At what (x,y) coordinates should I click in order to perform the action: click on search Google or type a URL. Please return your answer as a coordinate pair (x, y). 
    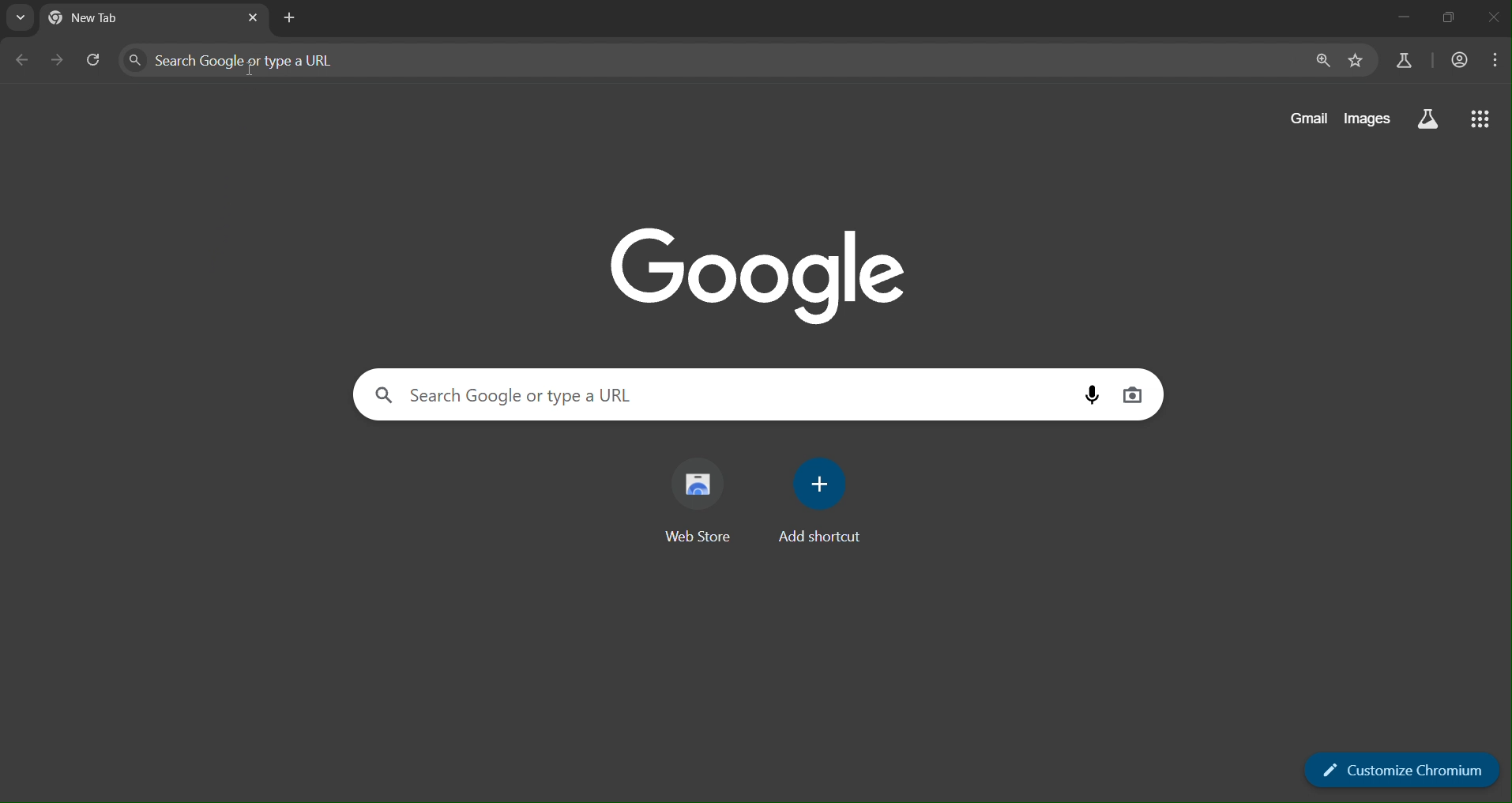
    Looking at the image, I should click on (356, 58).